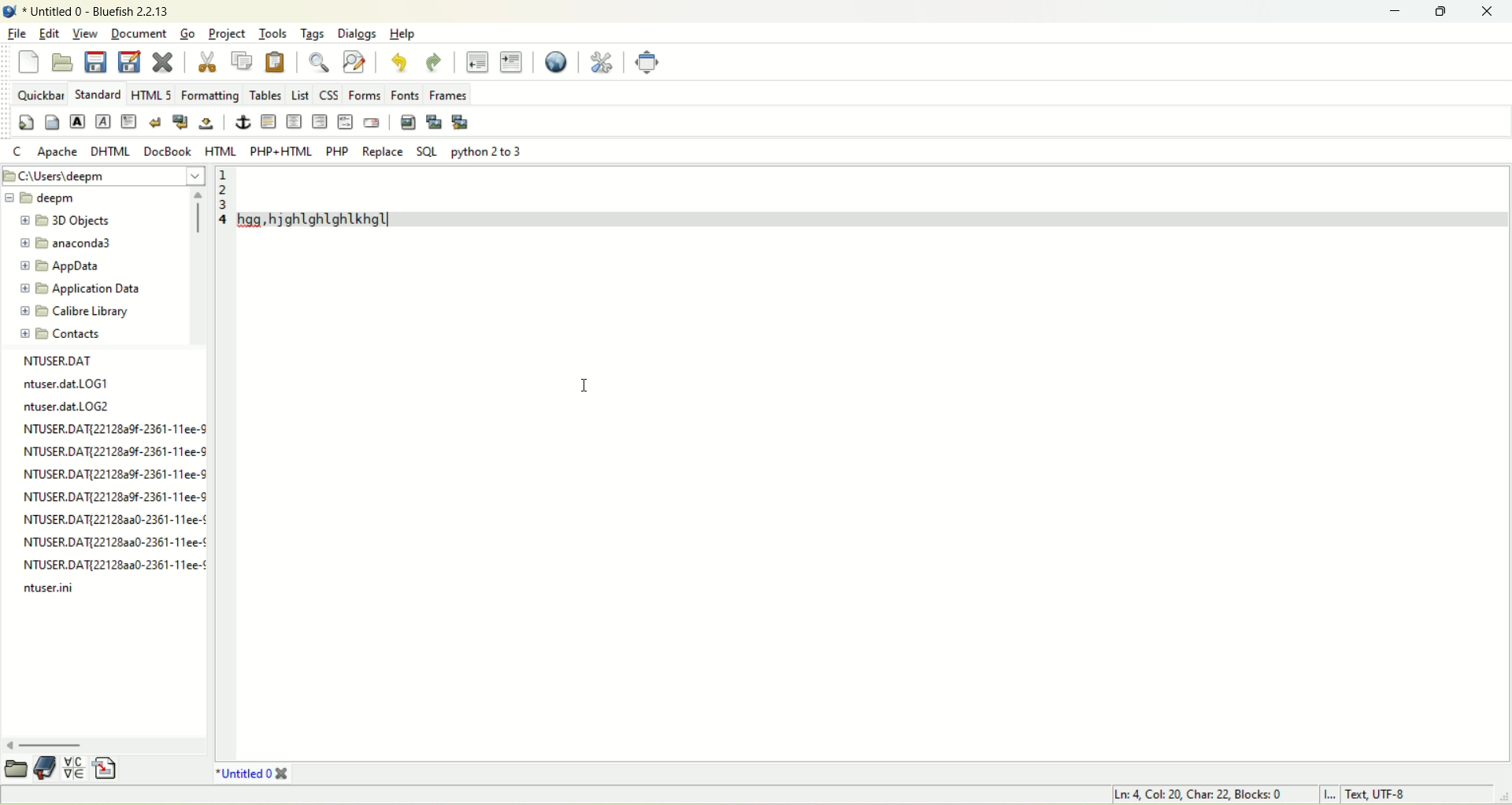 The image size is (1512, 805). I want to click on ntuser.ini, so click(48, 590).